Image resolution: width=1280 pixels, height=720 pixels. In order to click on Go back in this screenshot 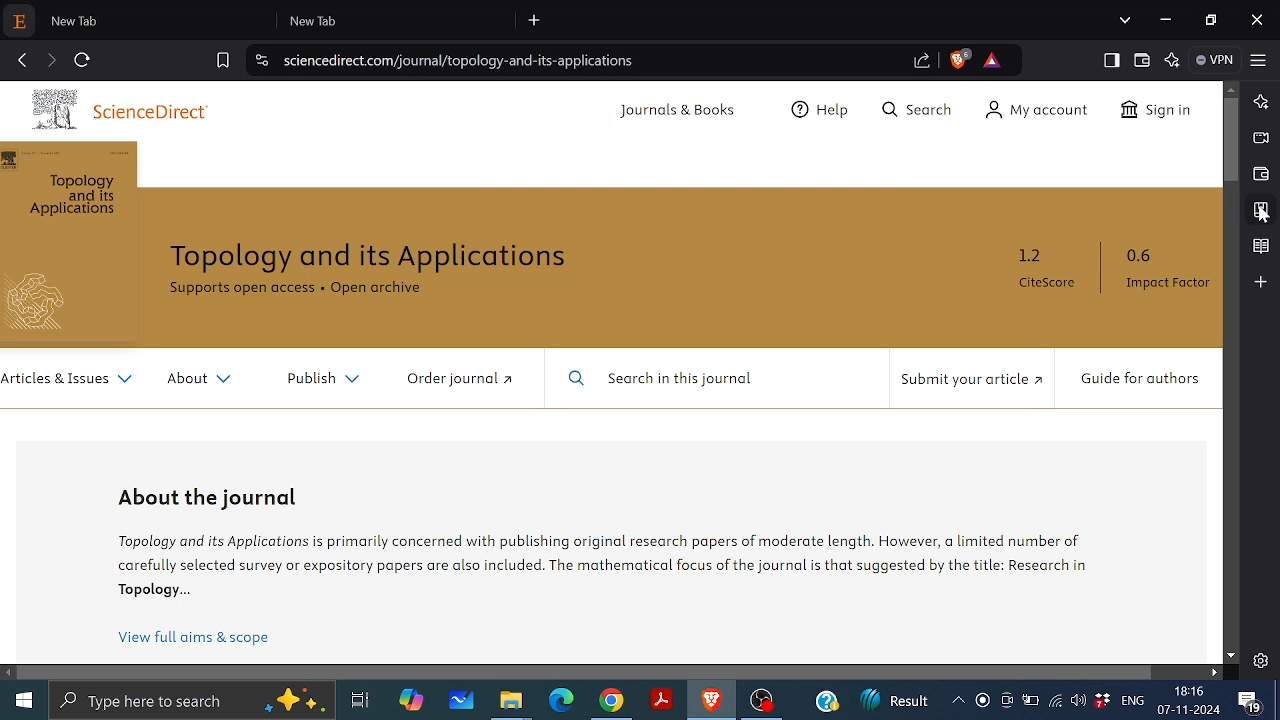, I will do `click(22, 58)`.